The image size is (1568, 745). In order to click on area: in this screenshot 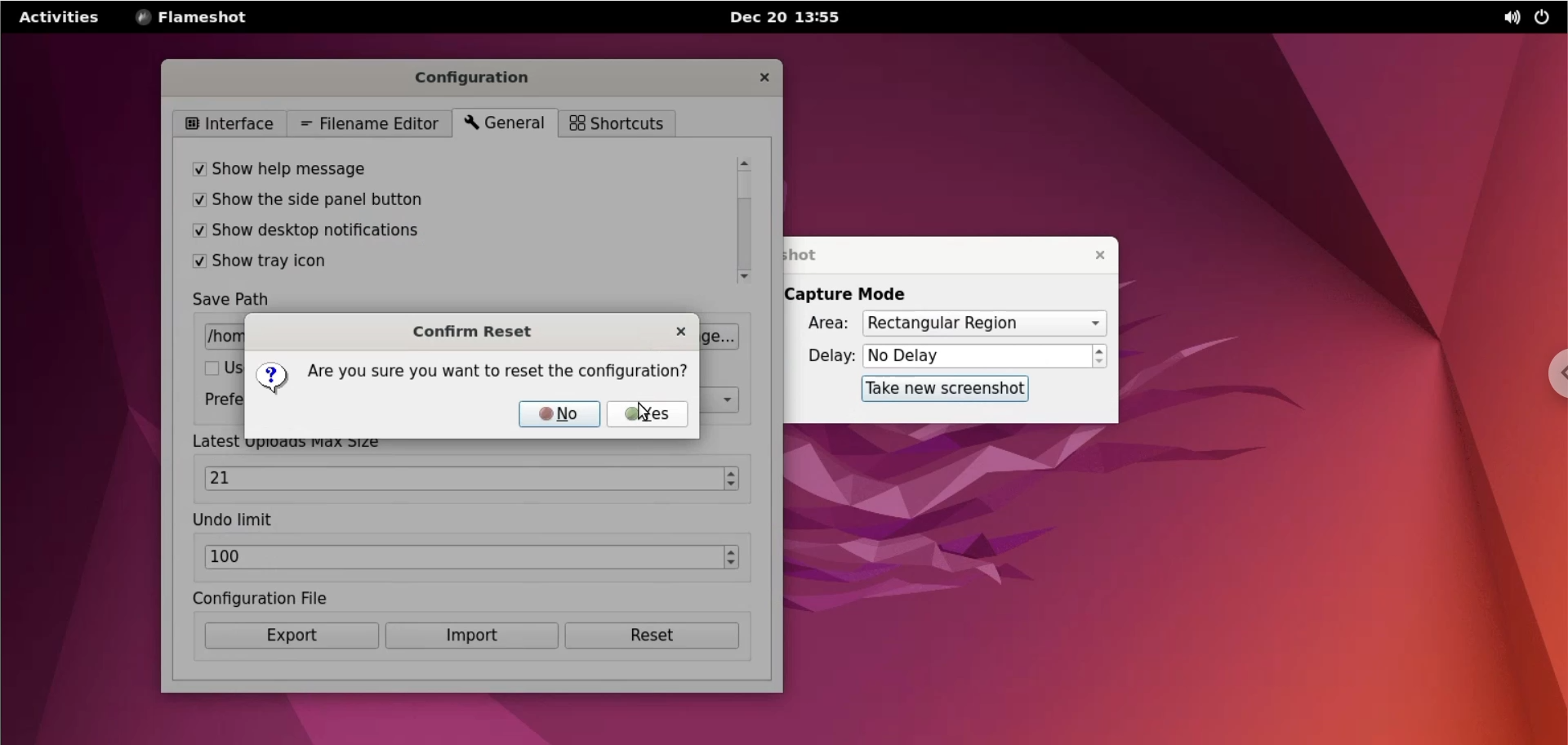, I will do `click(822, 322)`.